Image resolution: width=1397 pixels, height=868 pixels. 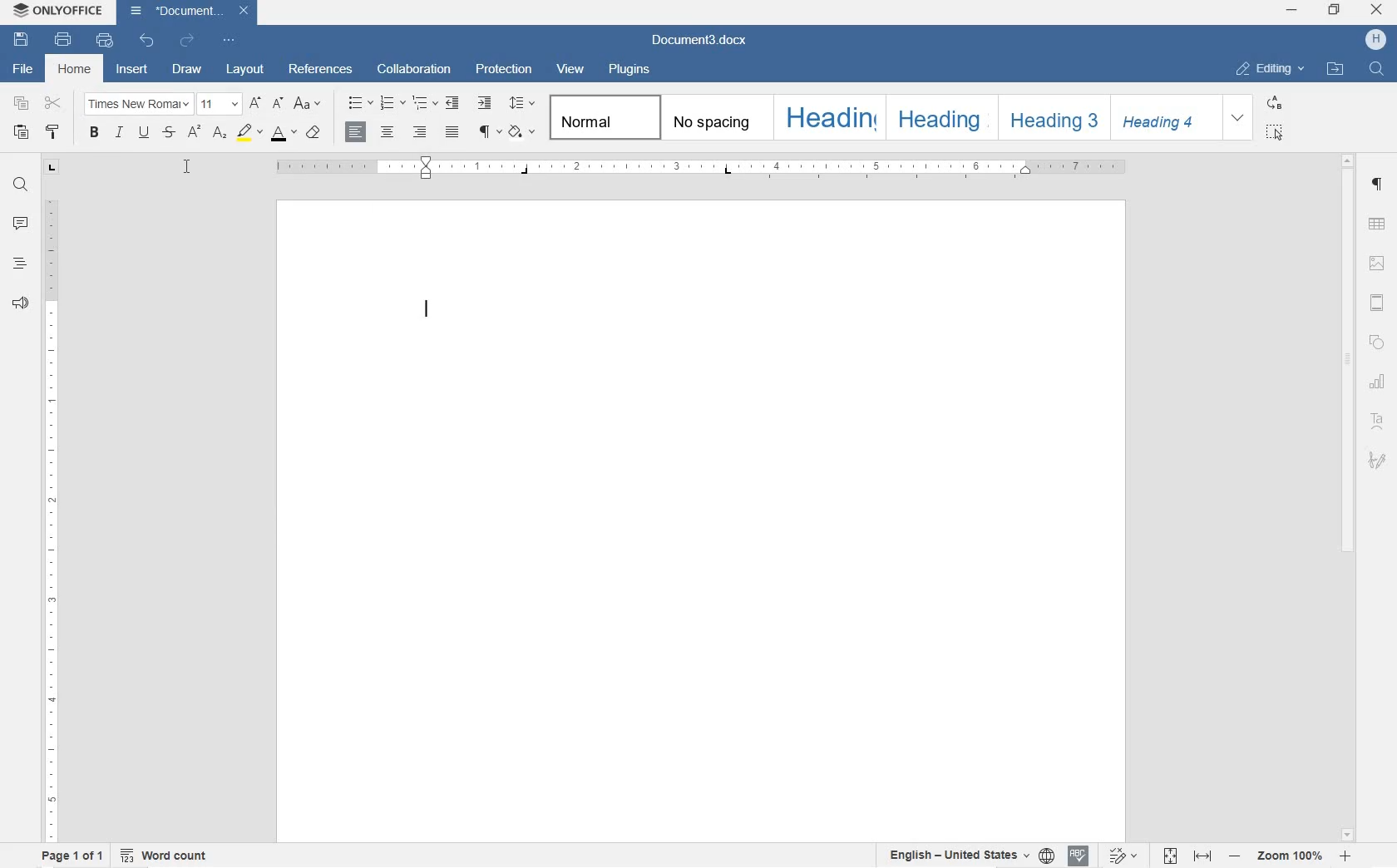 What do you see at coordinates (25, 70) in the screenshot?
I see `FILE` at bounding box center [25, 70].